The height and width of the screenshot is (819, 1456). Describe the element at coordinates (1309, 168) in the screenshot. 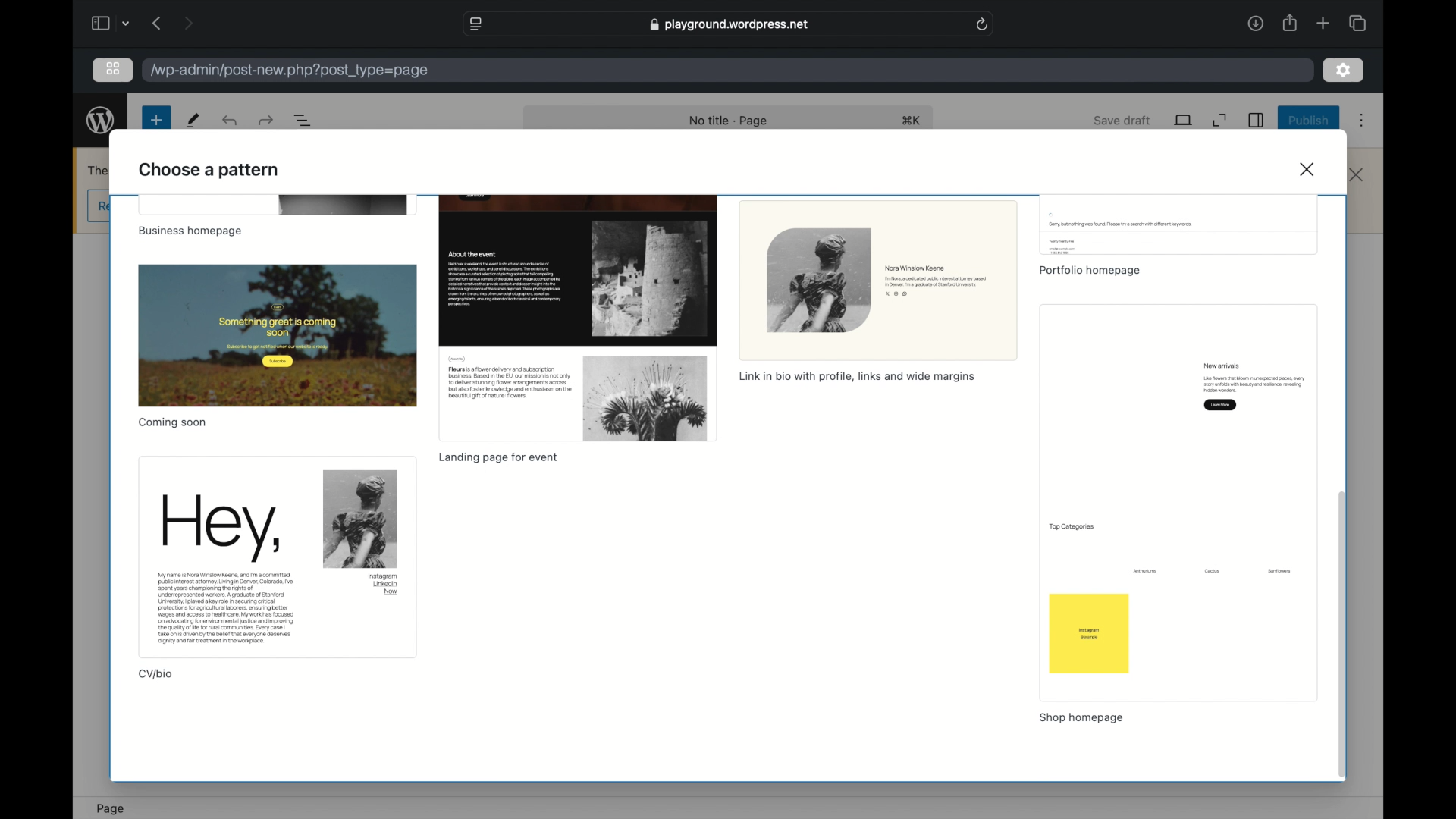

I see `close` at that location.